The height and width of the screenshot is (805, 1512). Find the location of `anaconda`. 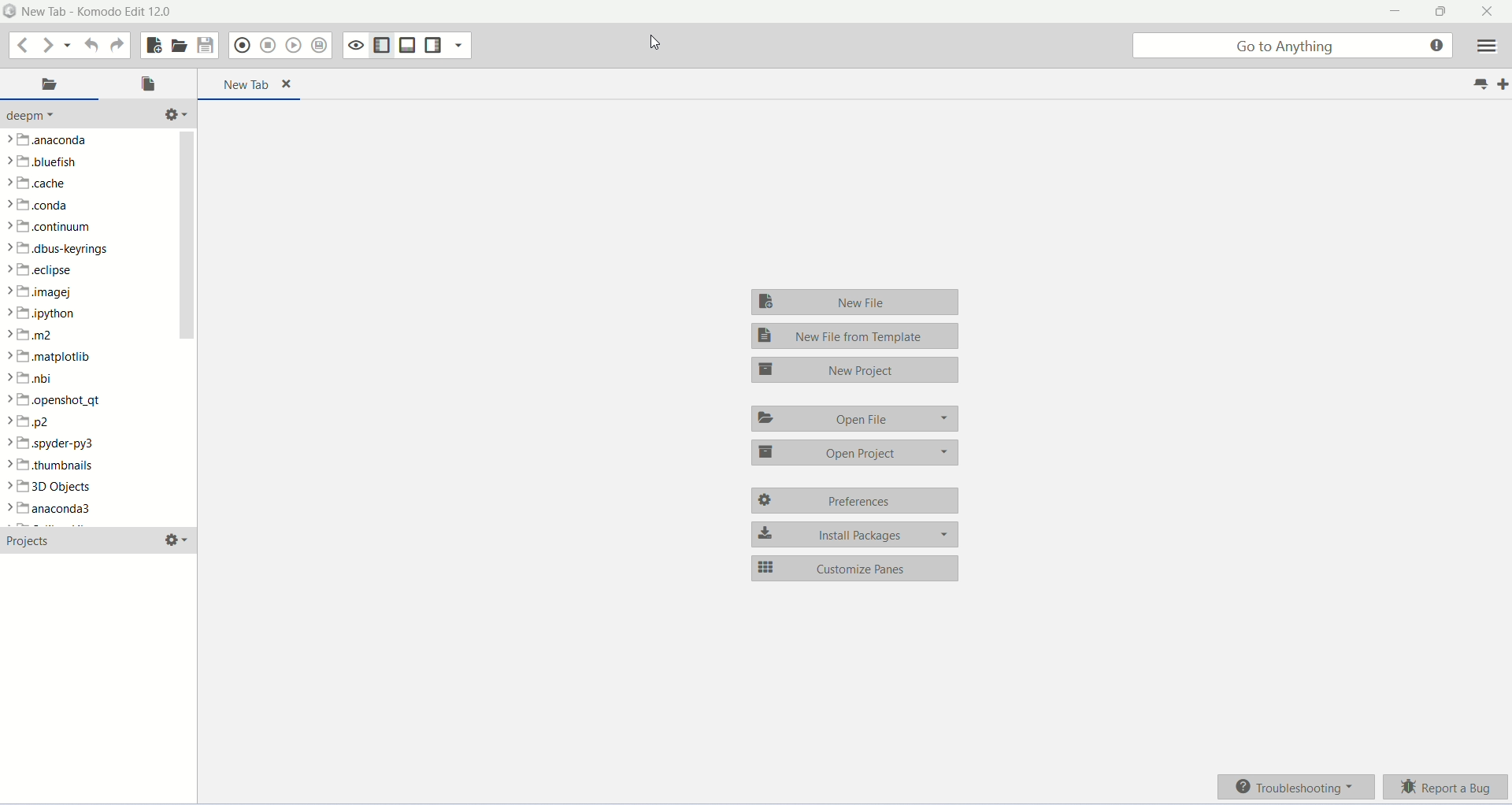

anaconda is located at coordinates (46, 142).